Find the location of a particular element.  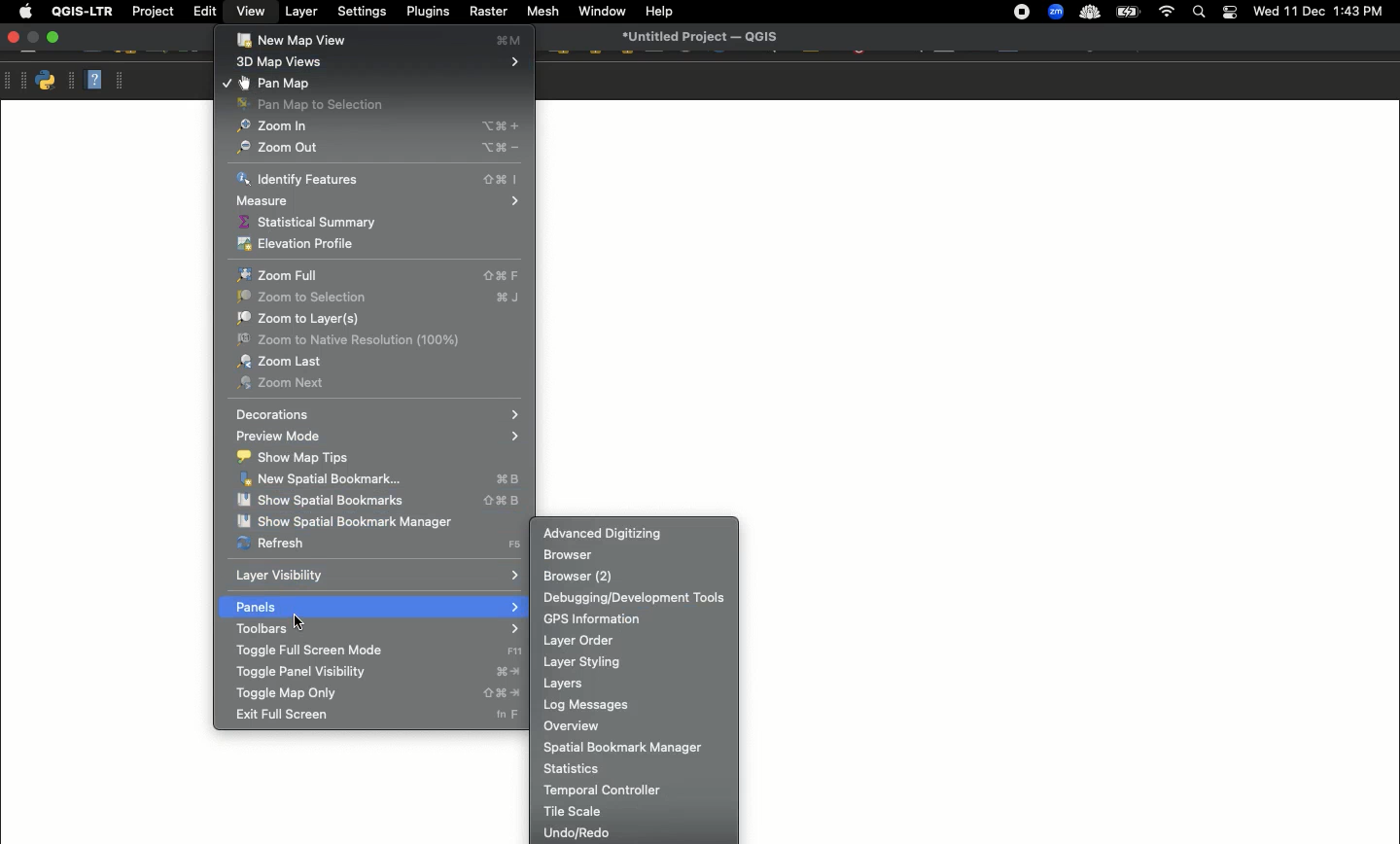

Statistics is located at coordinates (631, 768).